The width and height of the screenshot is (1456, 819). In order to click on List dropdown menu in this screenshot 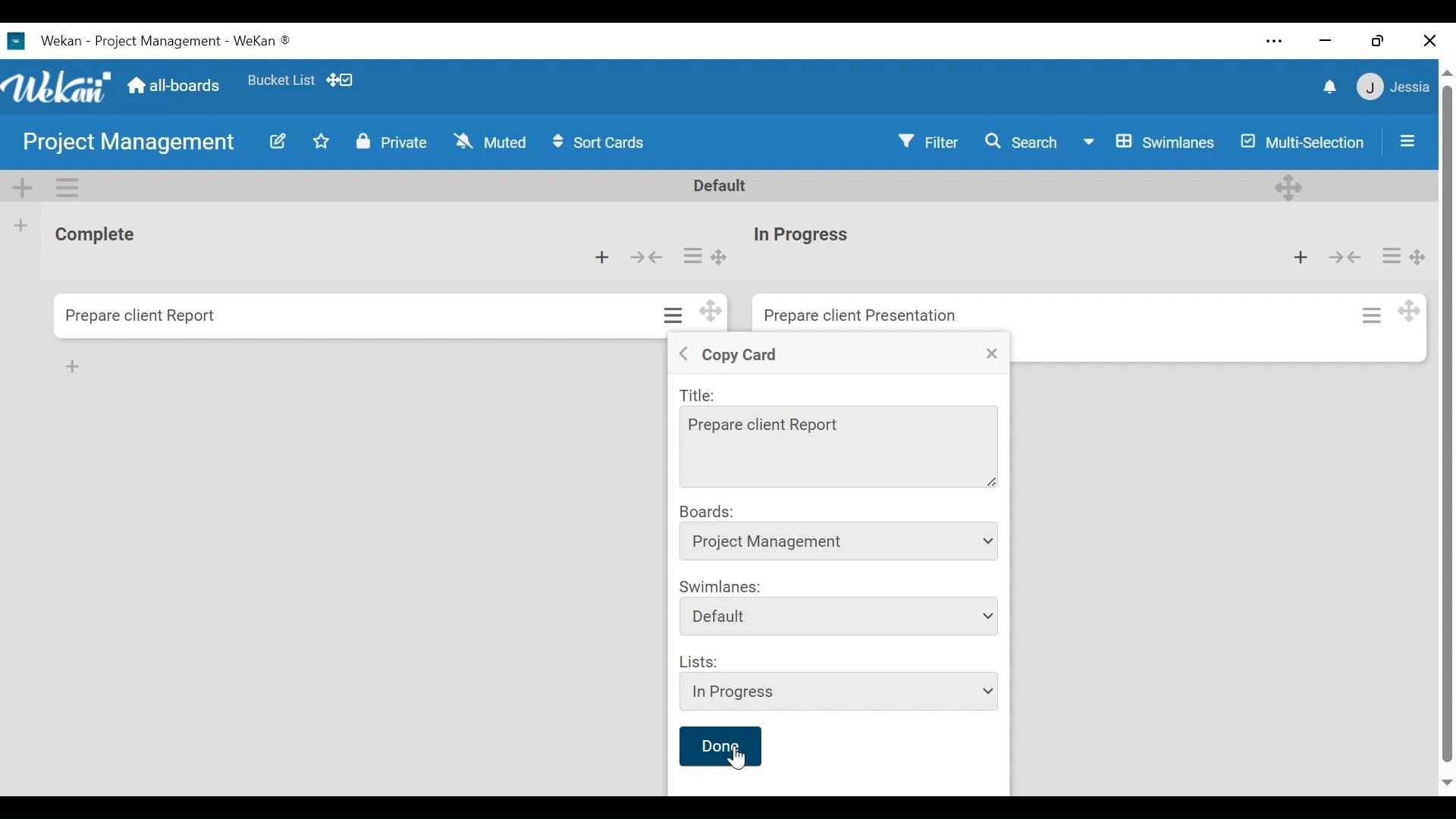, I will do `click(839, 692)`.